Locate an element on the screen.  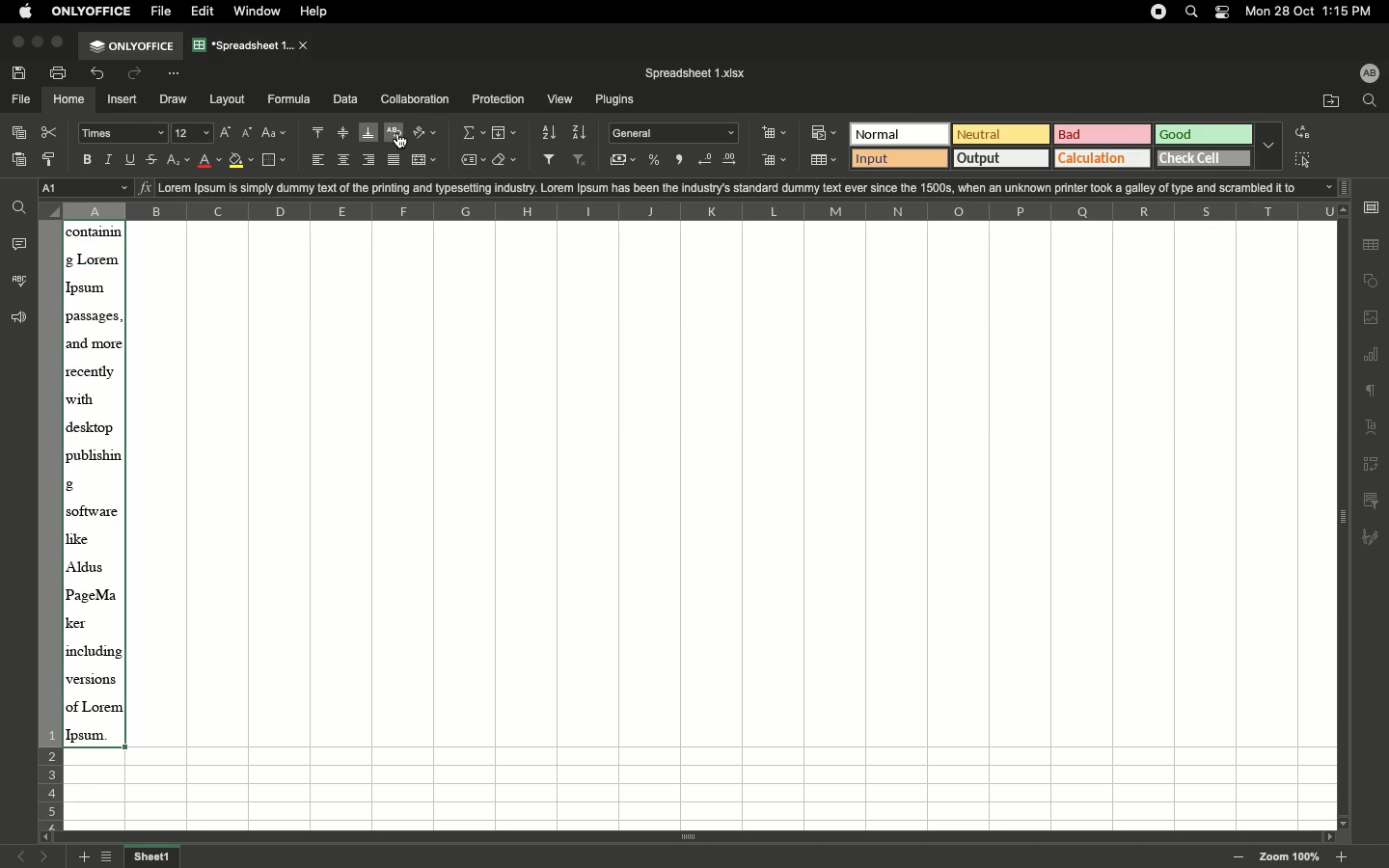
Align right is located at coordinates (370, 160).